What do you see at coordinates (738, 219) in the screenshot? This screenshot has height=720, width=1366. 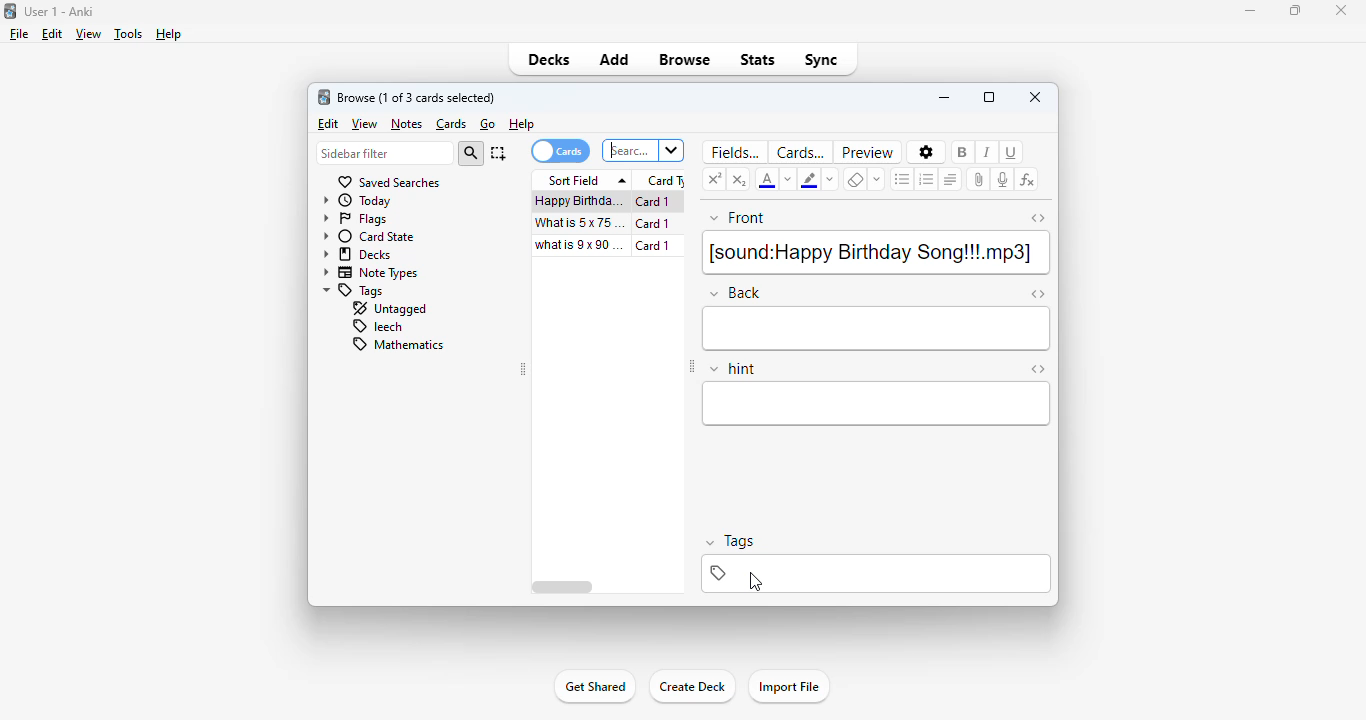 I see `front` at bounding box center [738, 219].